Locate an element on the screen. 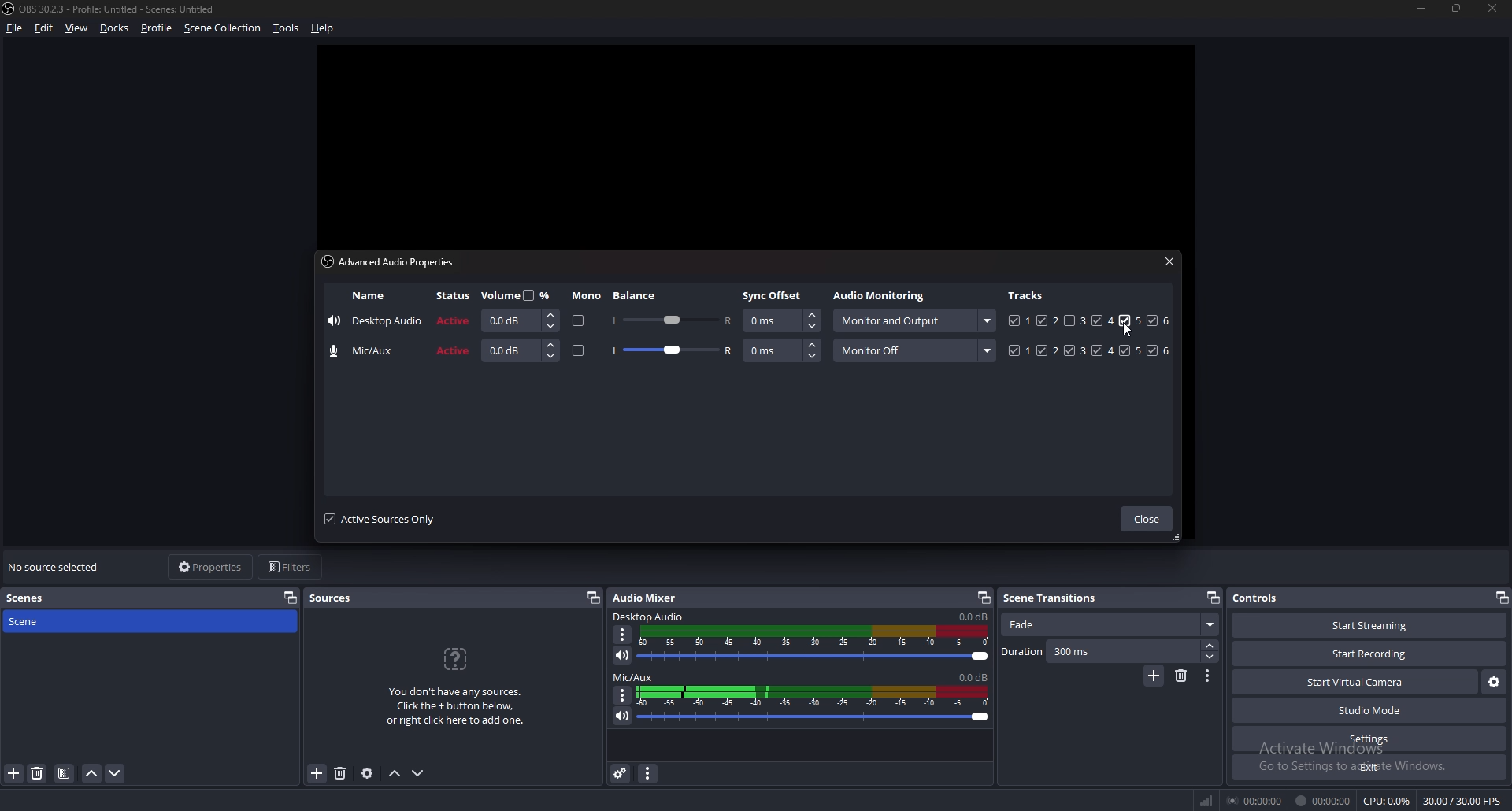  options is located at coordinates (1209, 676).